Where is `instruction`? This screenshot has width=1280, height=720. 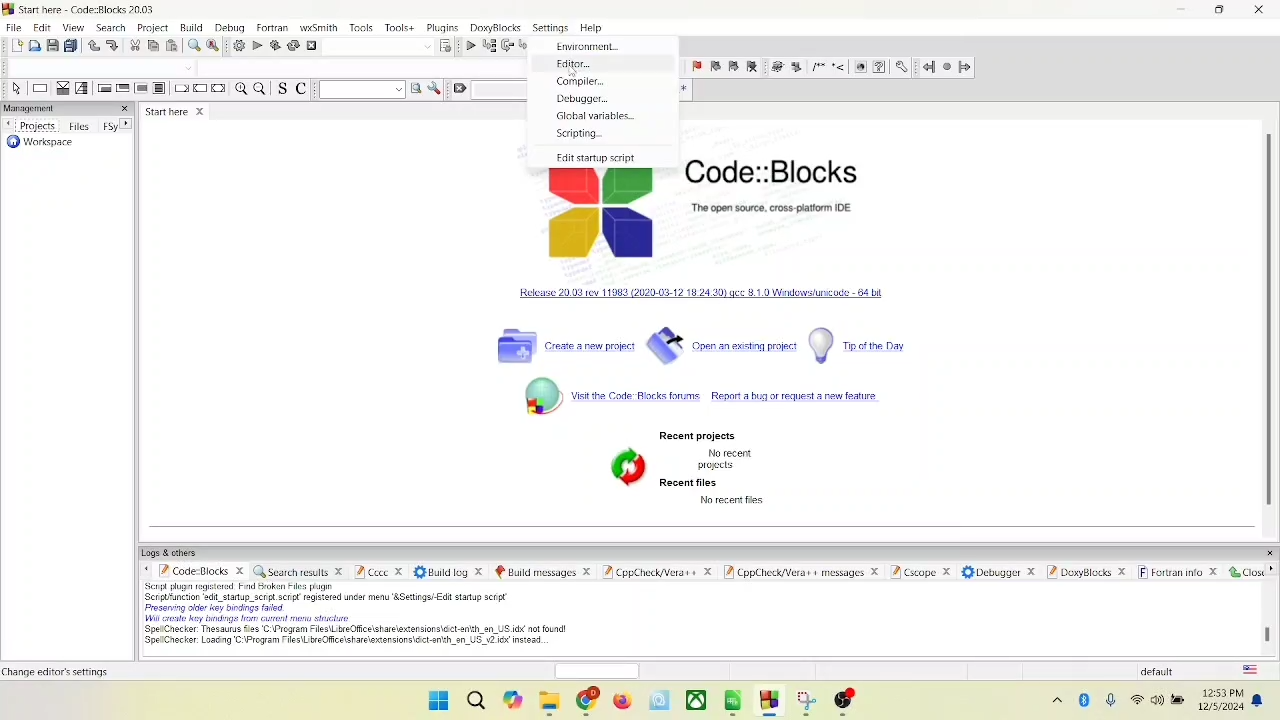
instruction is located at coordinates (38, 88).